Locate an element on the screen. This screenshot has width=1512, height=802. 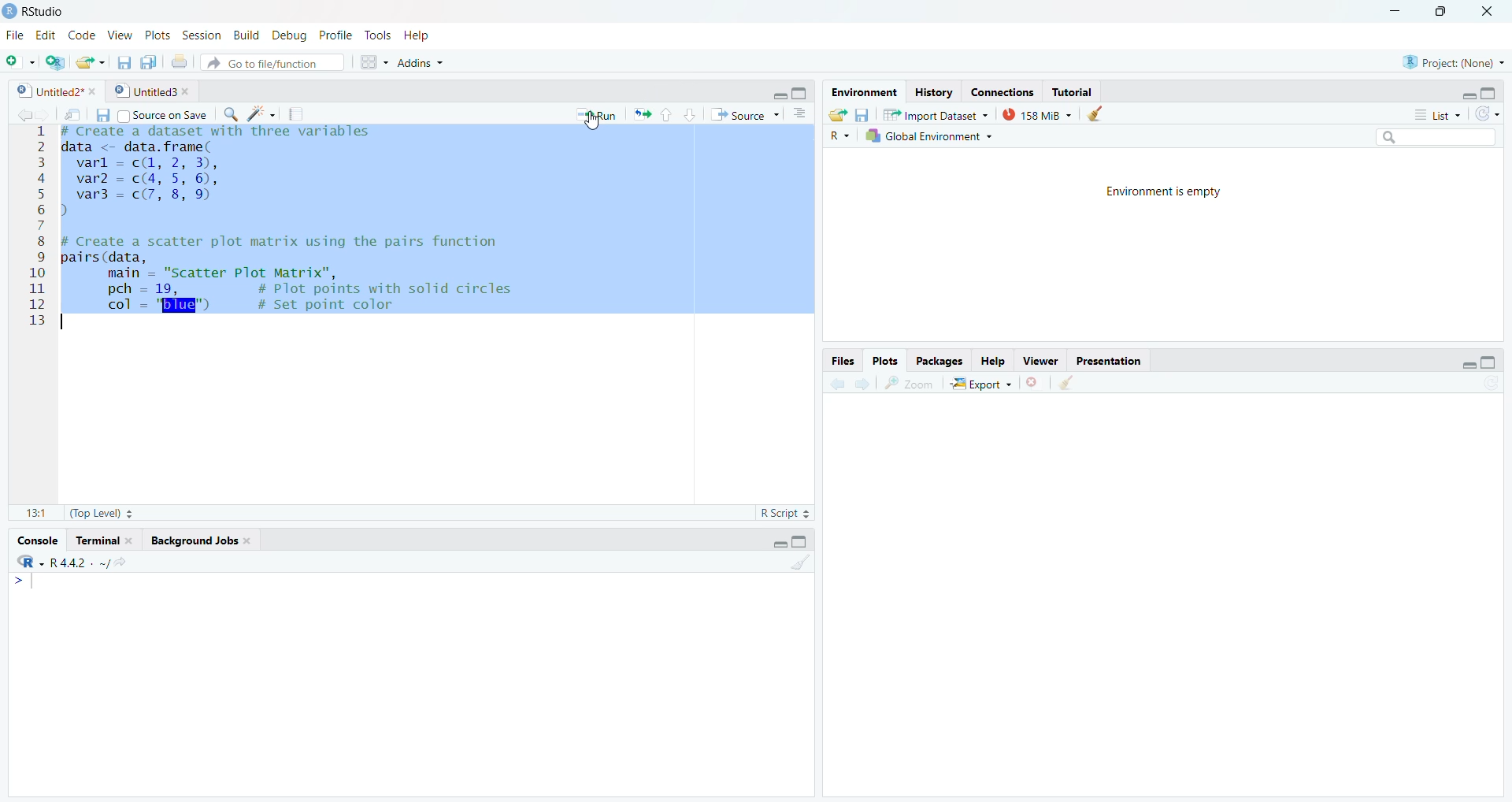
R is located at coordinates (25, 562).